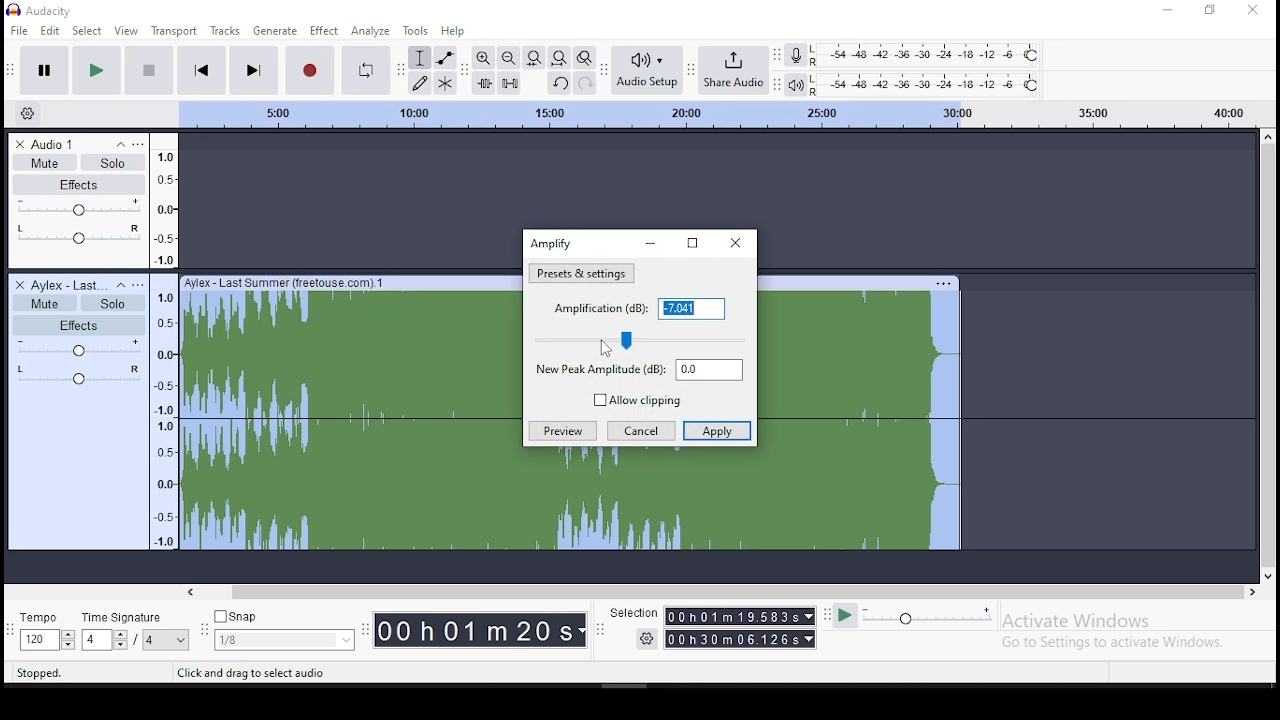  What do you see at coordinates (283, 285) in the screenshot?
I see `Ayfex - last summer` at bounding box center [283, 285].